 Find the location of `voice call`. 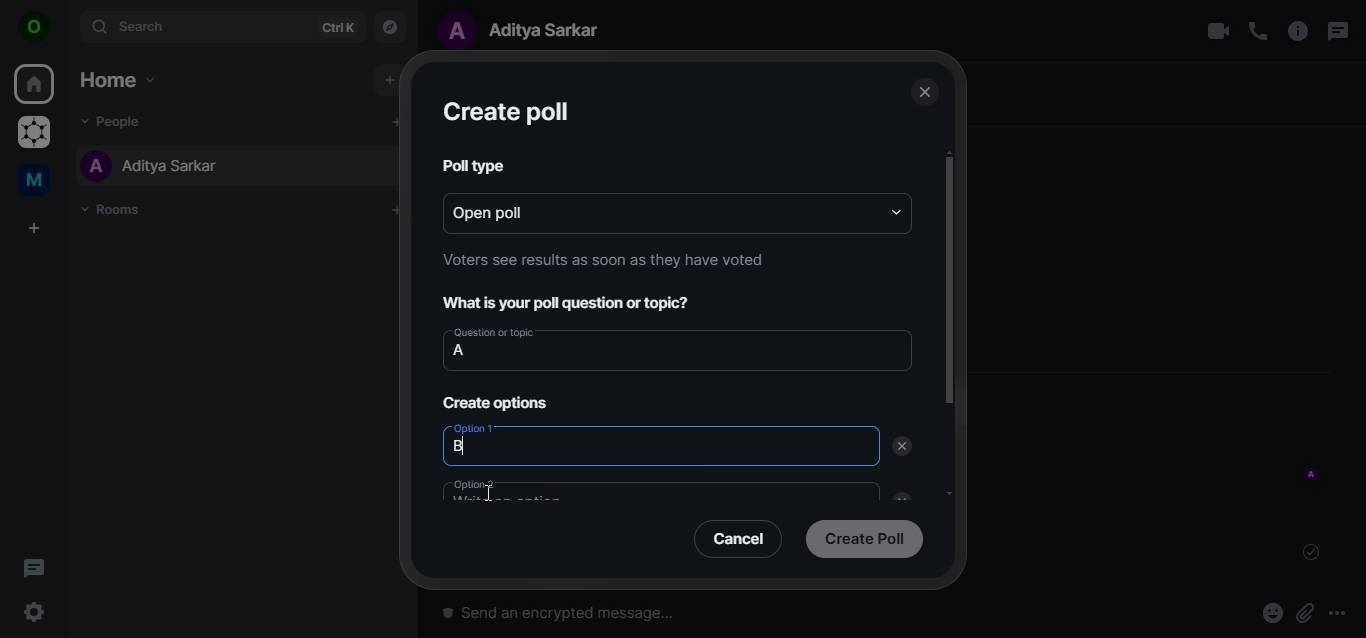

voice call is located at coordinates (1258, 31).